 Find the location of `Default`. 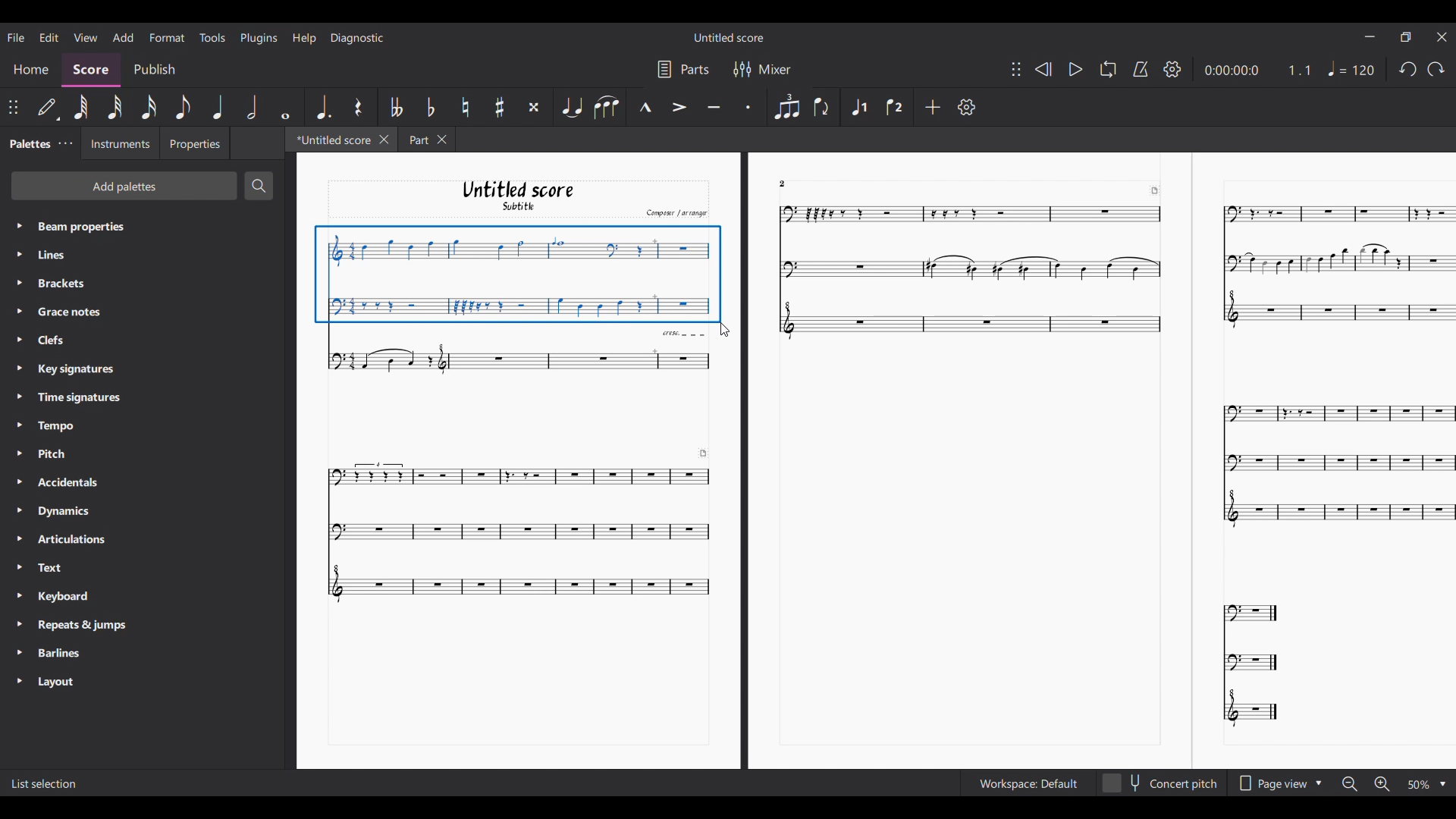

Default is located at coordinates (48, 109).